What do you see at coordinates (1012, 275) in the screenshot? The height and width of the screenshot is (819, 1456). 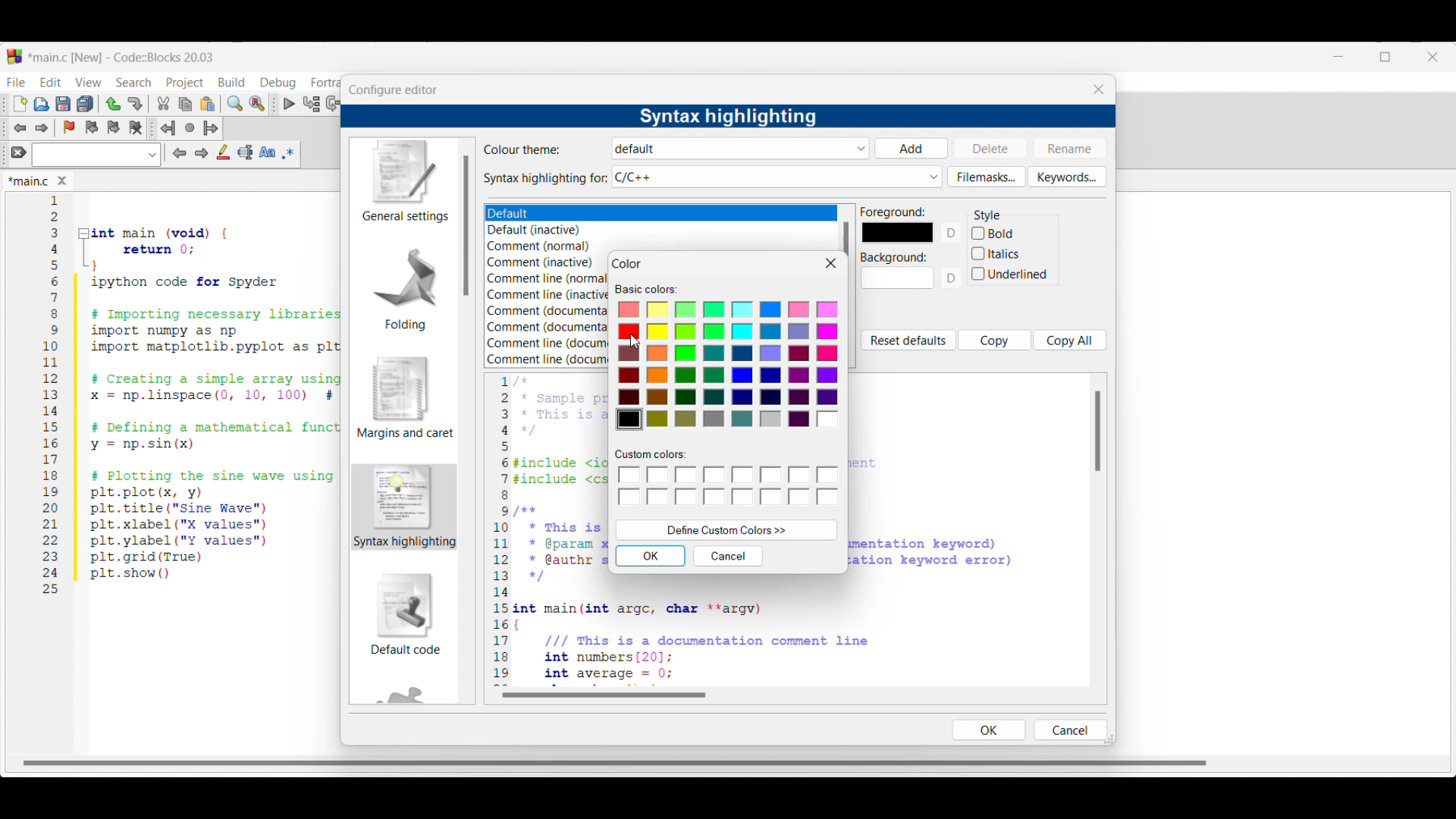 I see `Underlined` at bounding box center [1012, 275].